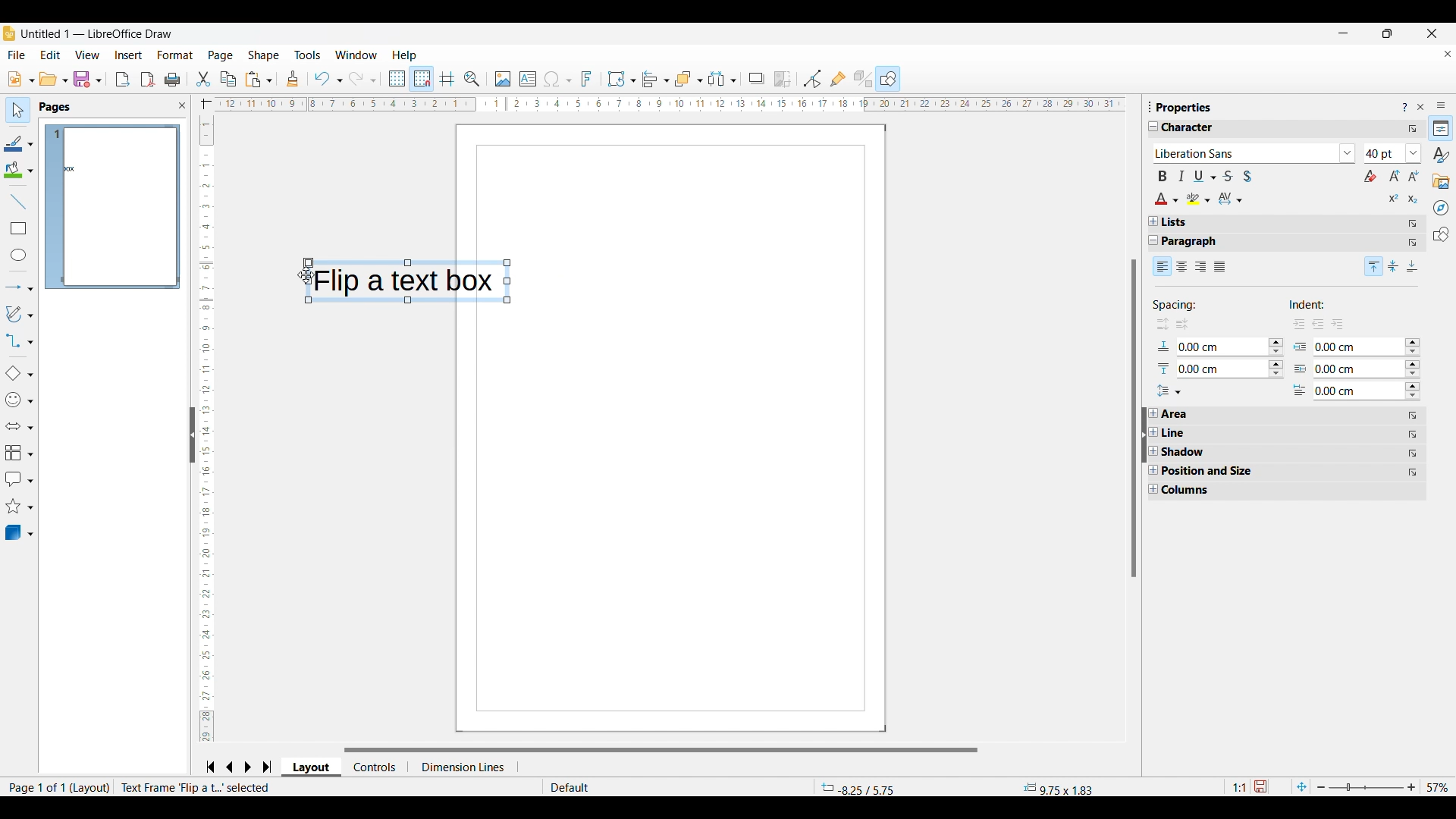 The height and width of the screenshot is (819, 1456). I want to click on Current page preview changed, so click(121, 206).